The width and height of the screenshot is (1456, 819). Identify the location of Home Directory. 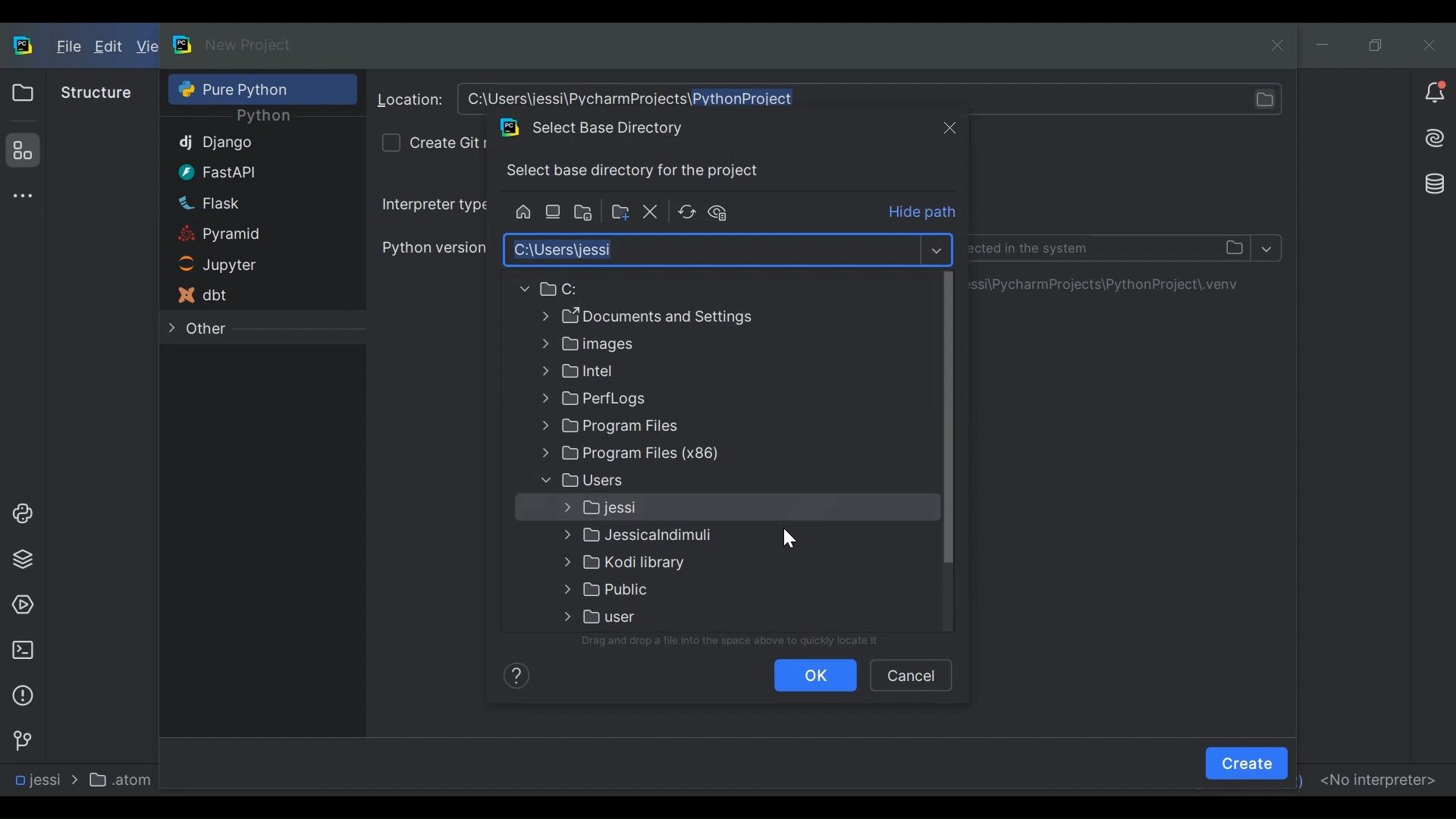
(522, 212).